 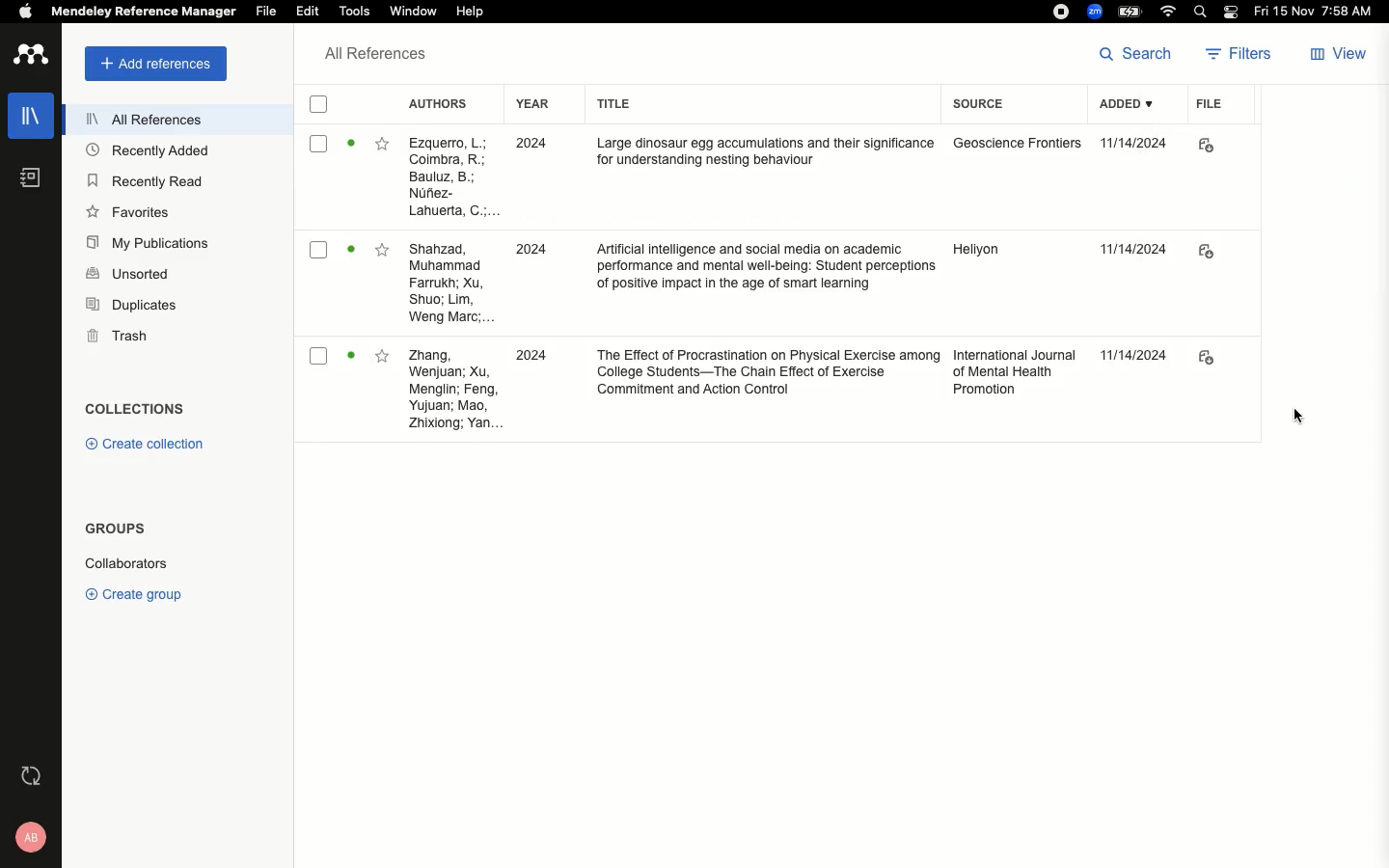 I want to click on International Journal
of Mental Health
Promotion, so click(x=1015, y=373).